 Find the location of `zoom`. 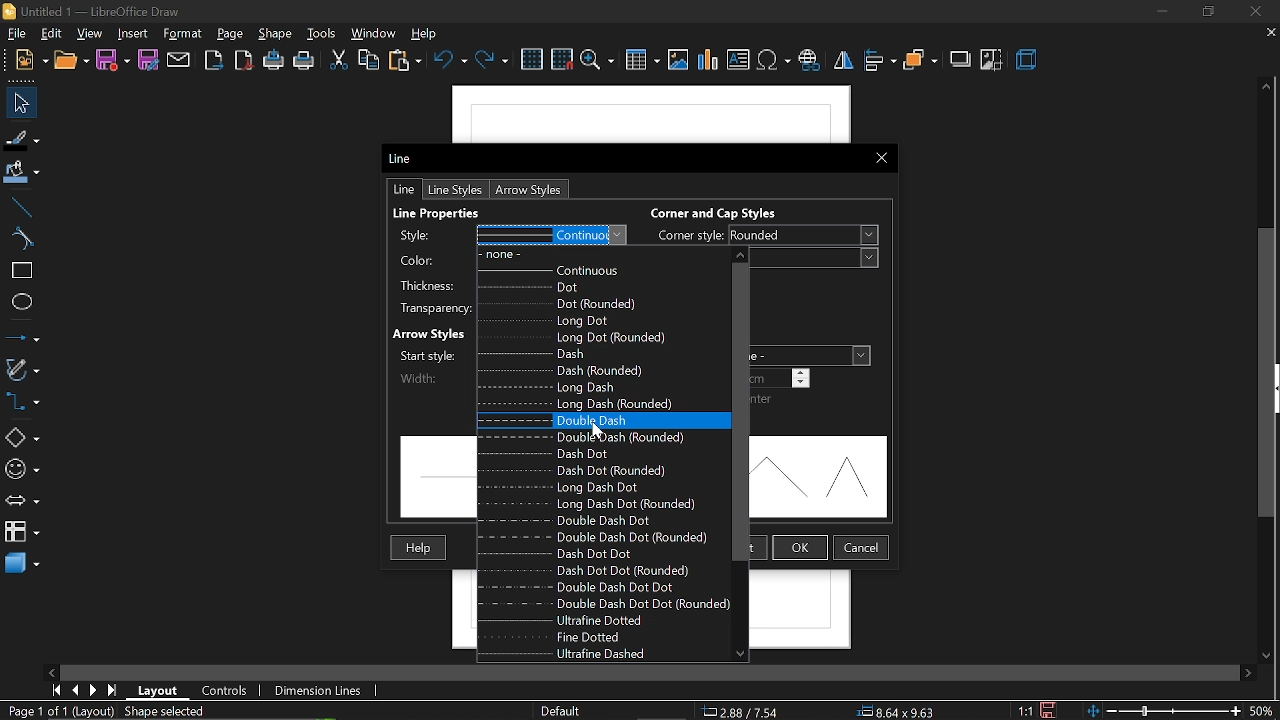

zoom is located at coordinates (598, 60).